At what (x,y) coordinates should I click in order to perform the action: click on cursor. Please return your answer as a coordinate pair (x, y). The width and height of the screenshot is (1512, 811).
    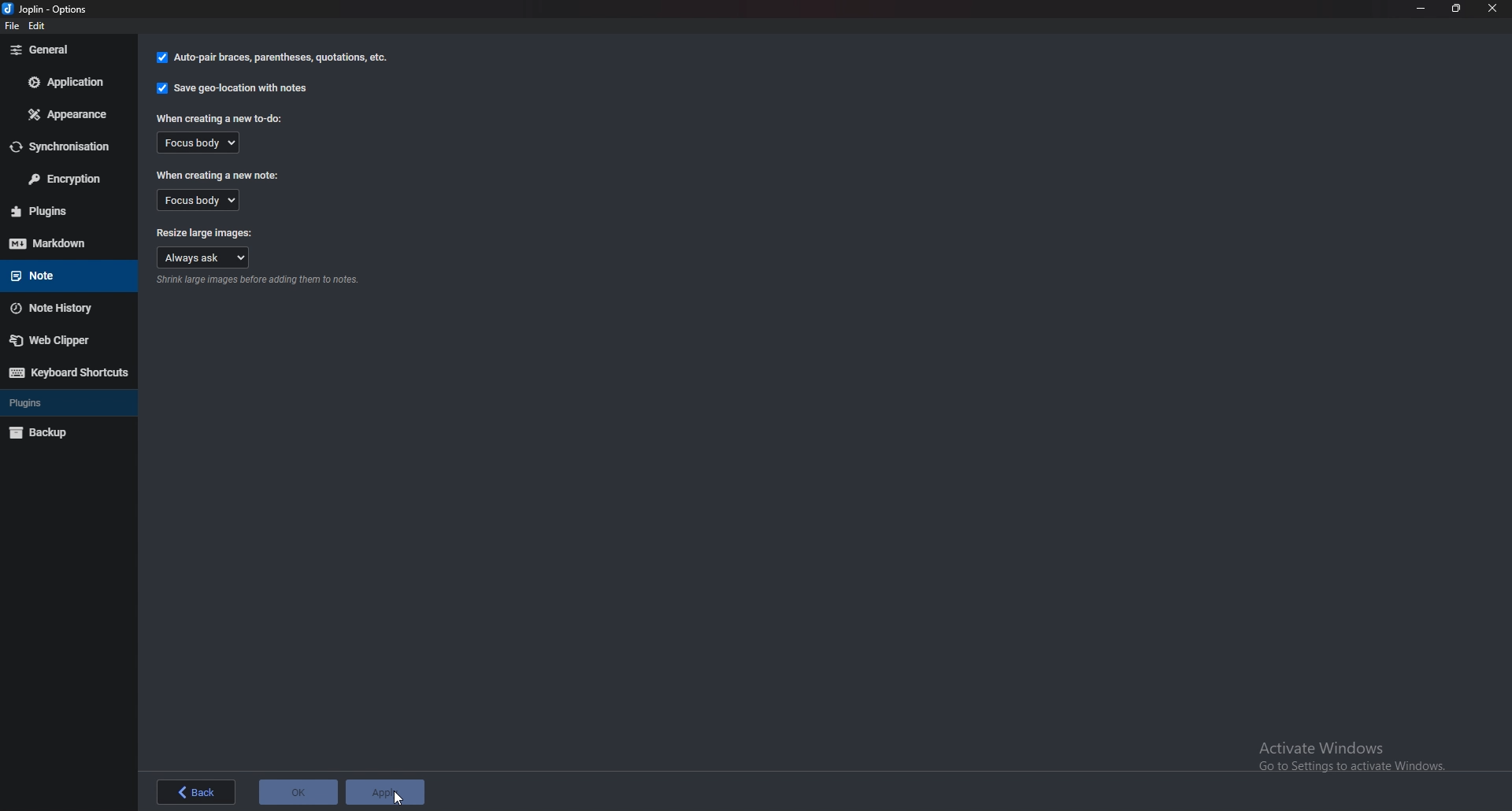
    Looking at the image, I should click on (395, 800).